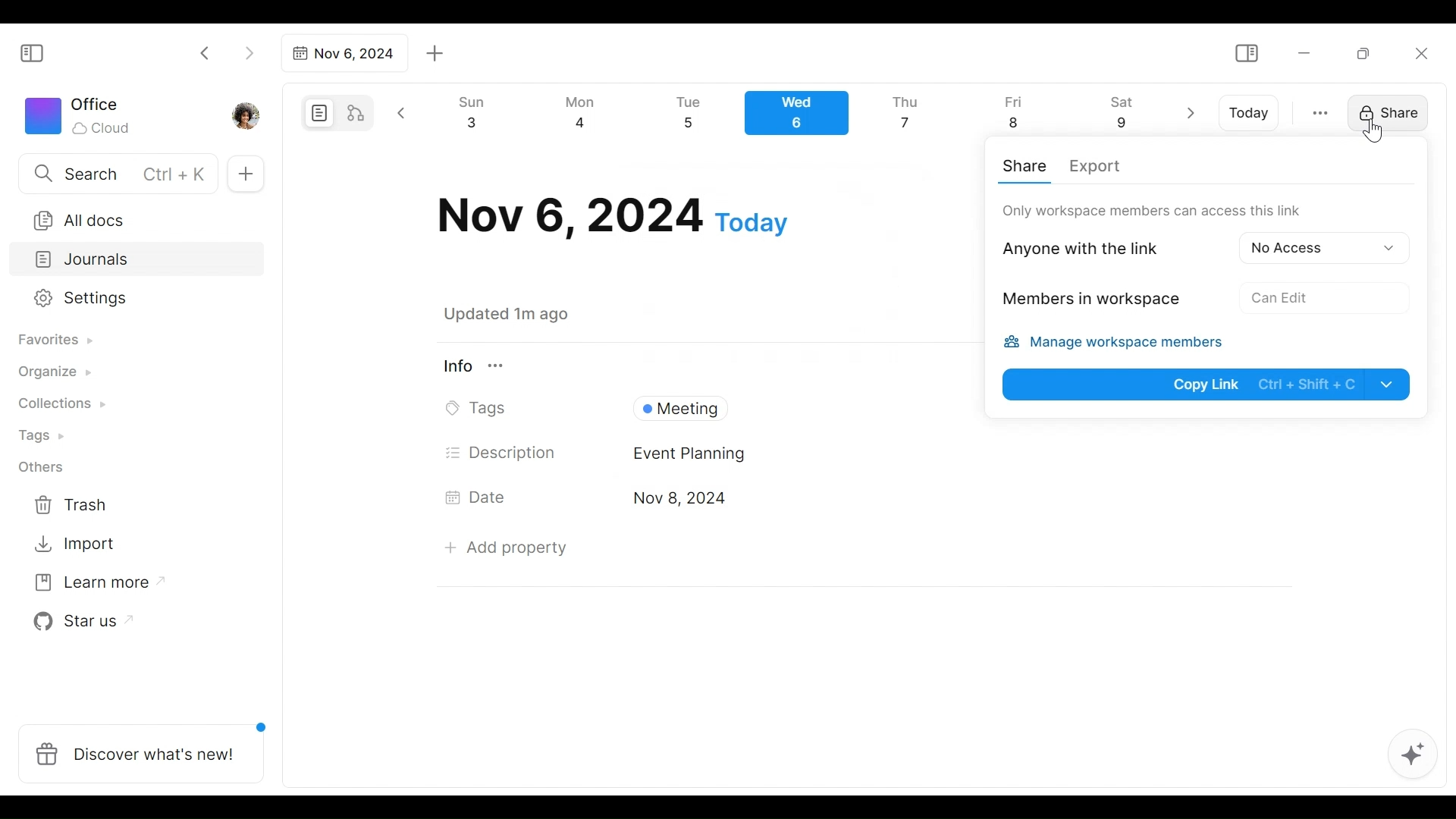 The image size is (1456, 819). Describe the element at coordinates (506, 548) in the screenshot. I see `Add Property` at that location.